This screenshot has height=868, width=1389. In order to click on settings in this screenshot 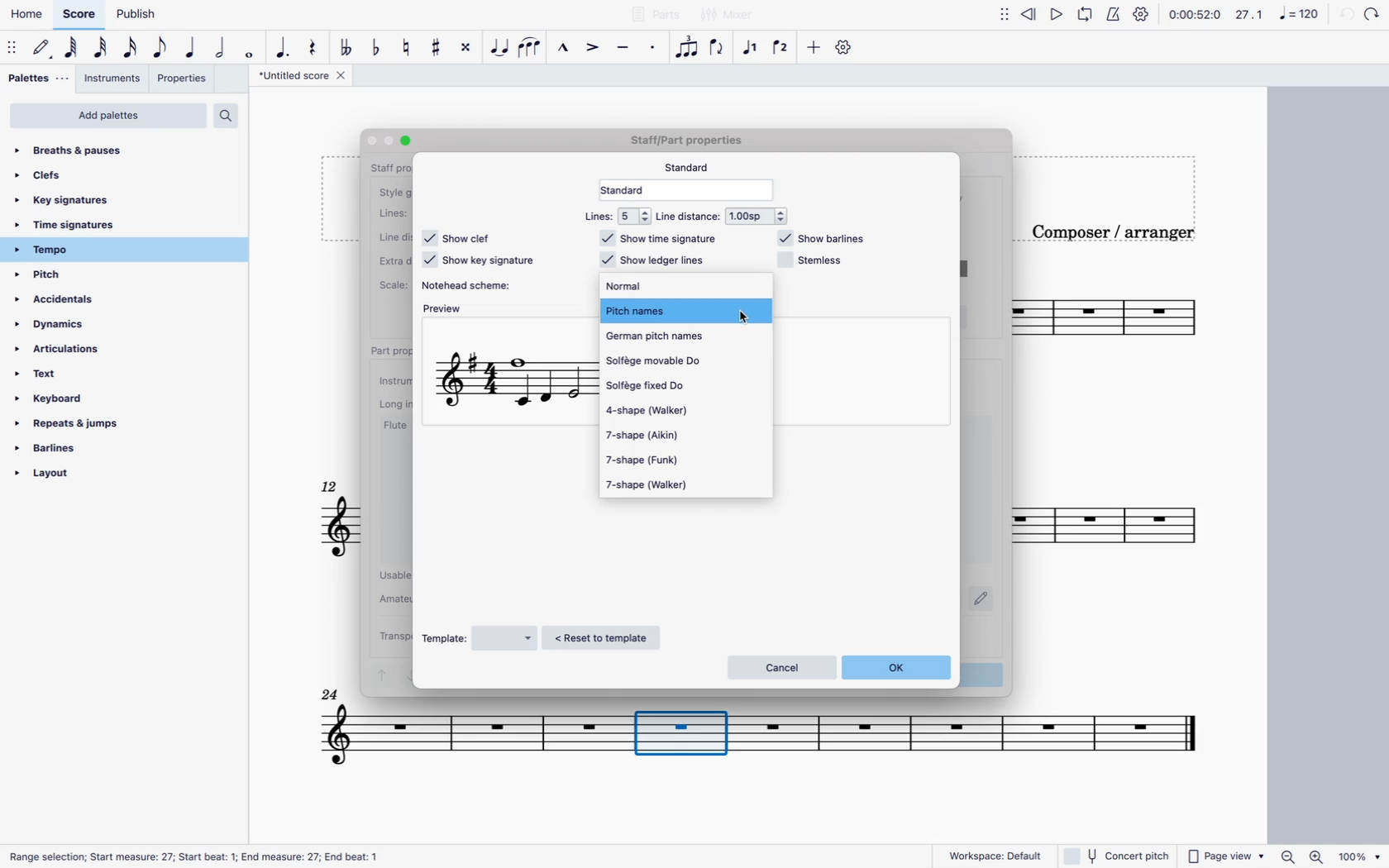, I will do `click(846, 49)`.